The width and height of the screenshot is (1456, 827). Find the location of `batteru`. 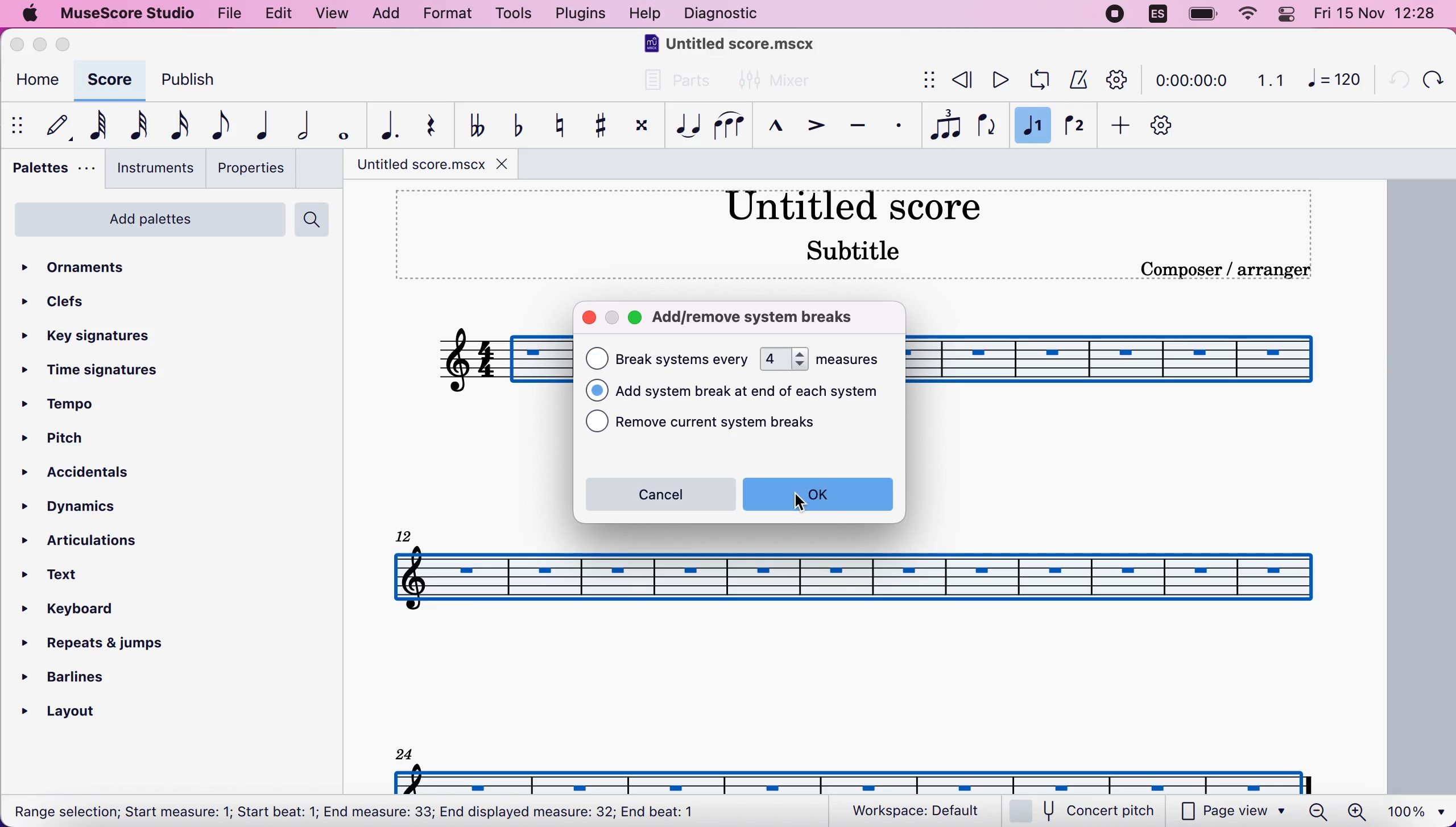

batteru is located at coordinates (1203, 15).